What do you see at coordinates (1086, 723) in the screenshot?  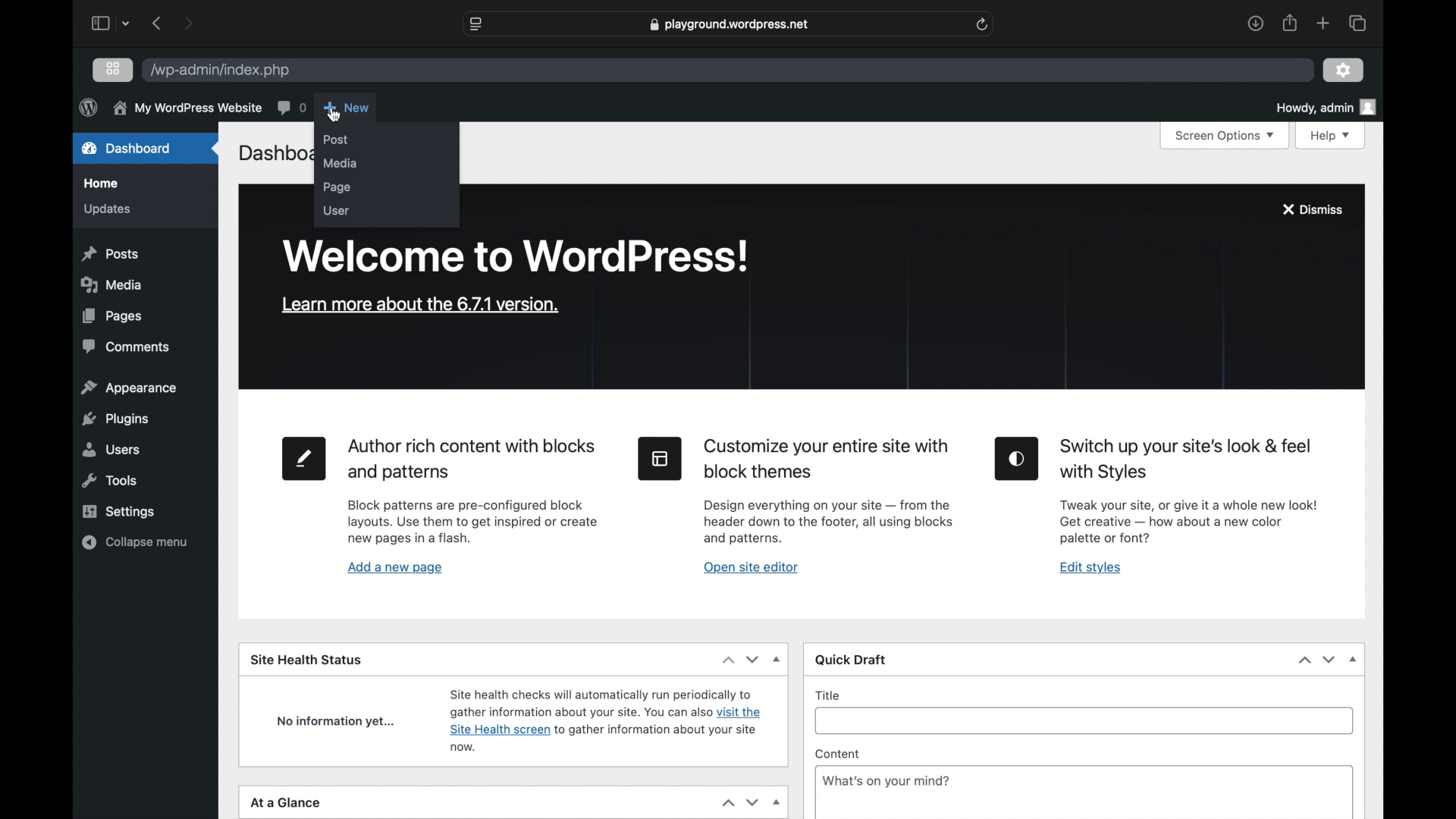 I see `title input` at bounding box center [1086, 723].